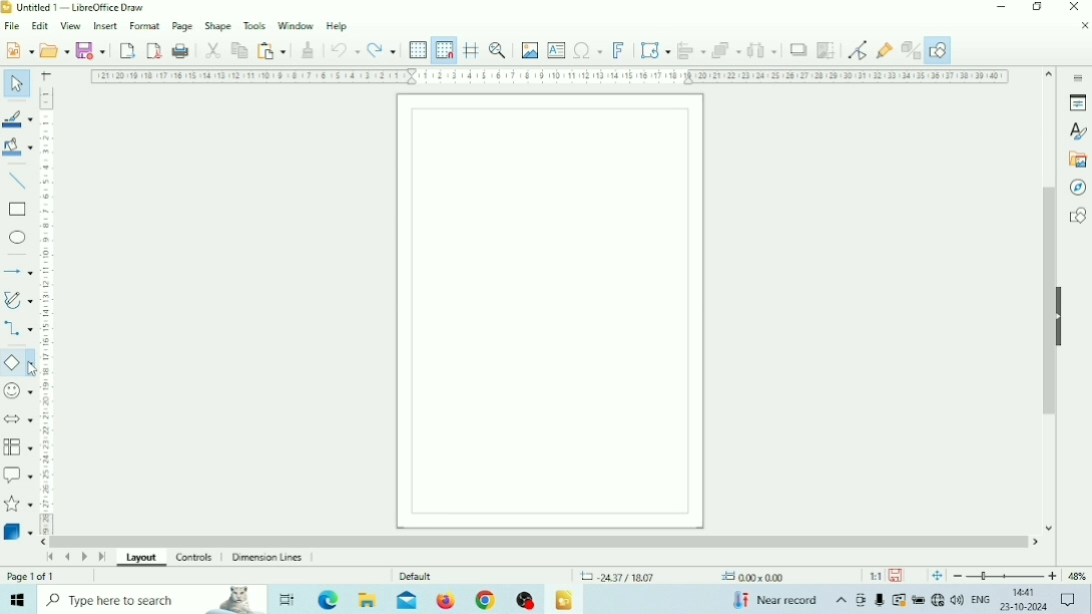 The width and height of the screenshot is (1092, 614). I want to click on Properties, so click(1078, 103).